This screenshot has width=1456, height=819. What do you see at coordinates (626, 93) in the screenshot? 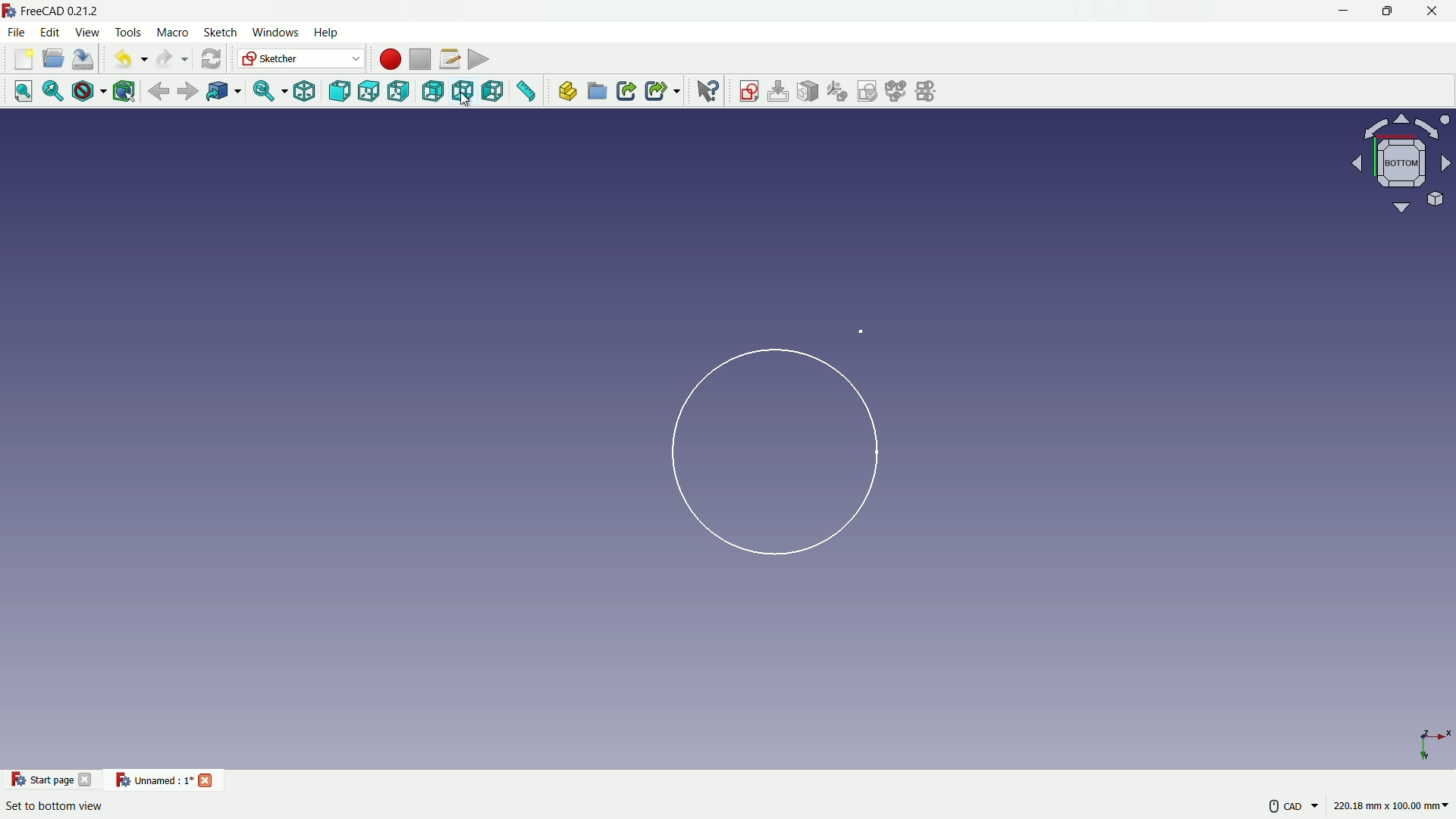
I see `make link` at bounding box center [626, 93].